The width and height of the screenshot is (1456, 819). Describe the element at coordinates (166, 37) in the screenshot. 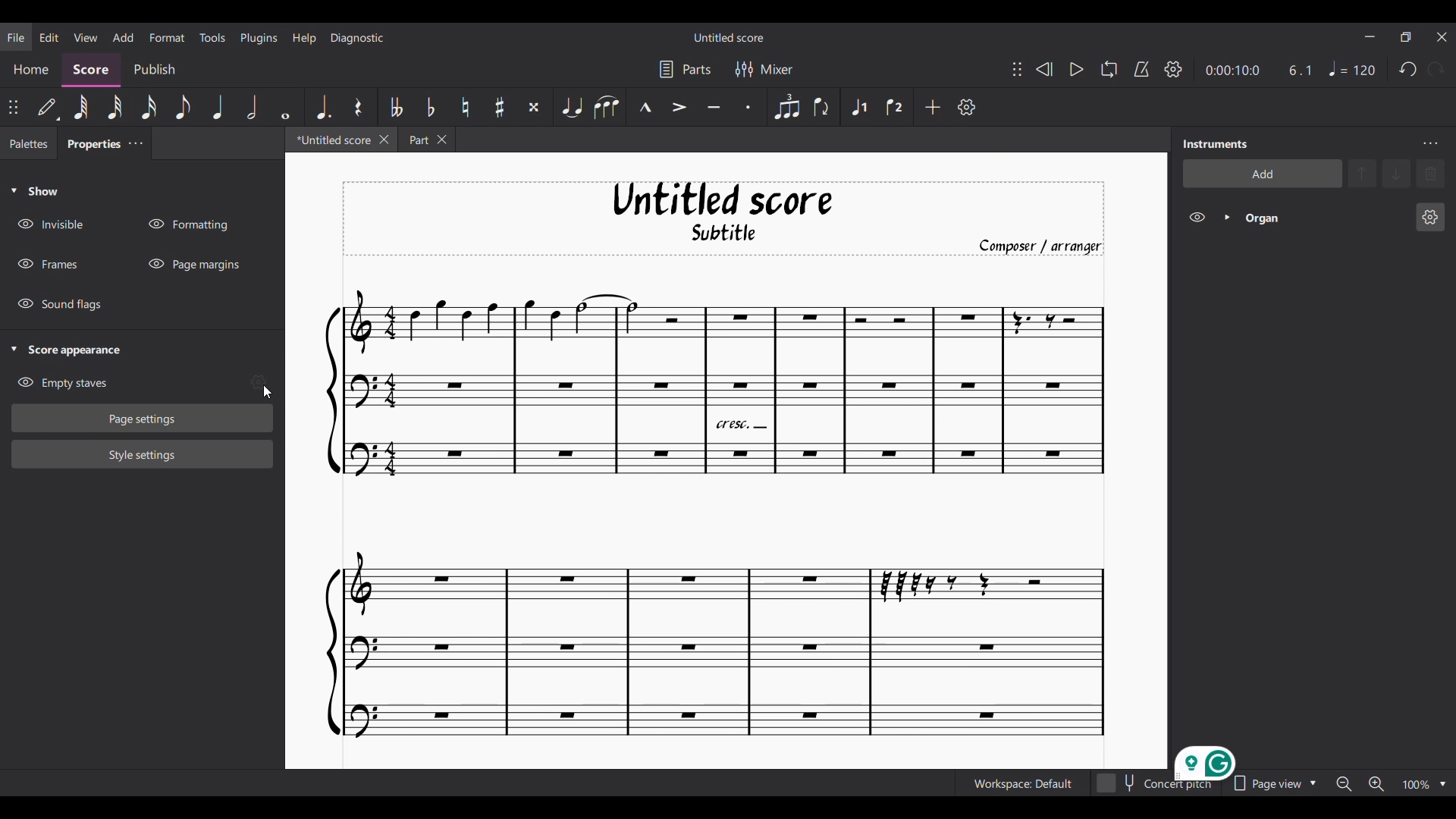

I see `Format menu` at that location.